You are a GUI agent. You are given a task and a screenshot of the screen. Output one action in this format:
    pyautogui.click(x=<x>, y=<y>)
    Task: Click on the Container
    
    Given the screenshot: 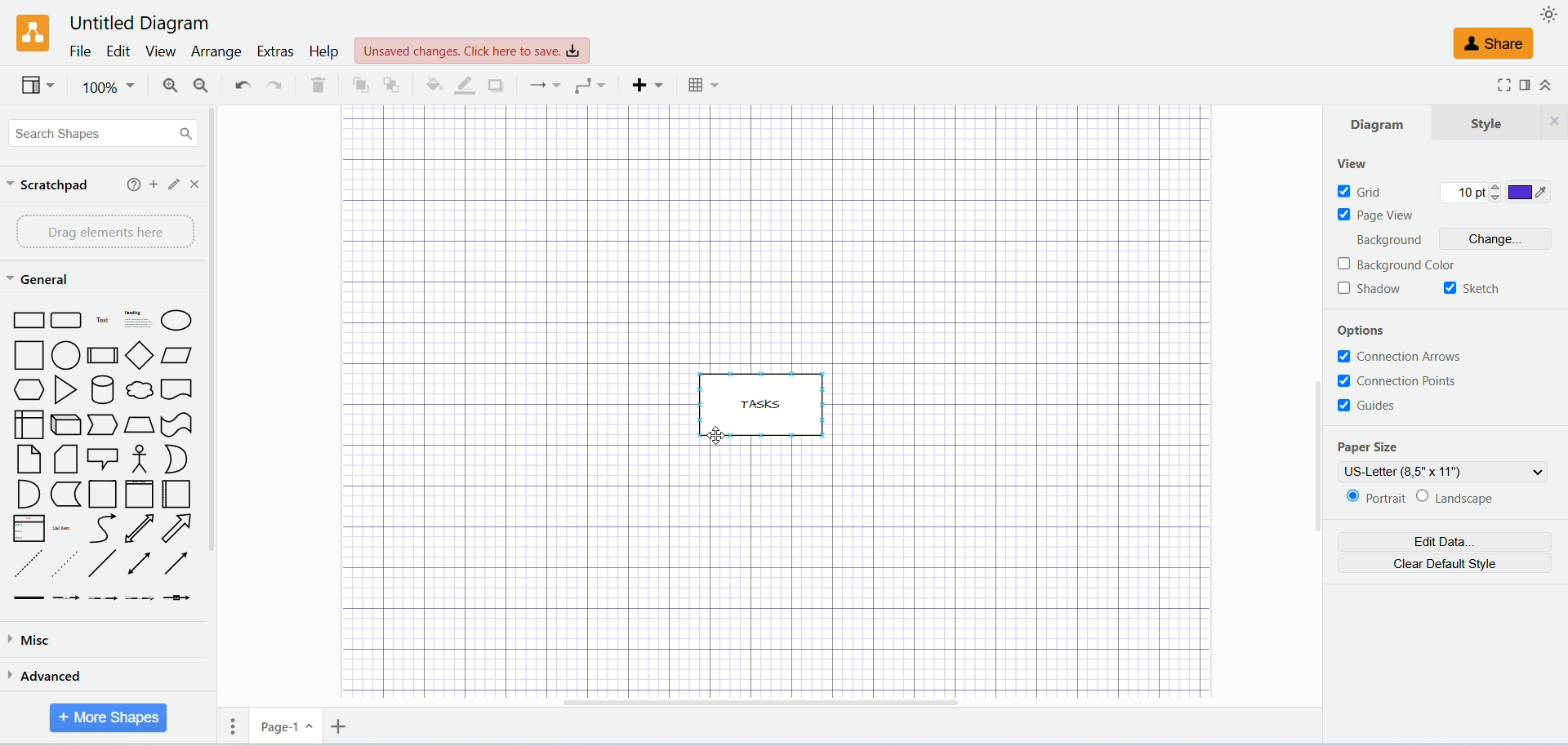 What is the action you would take?
    pyautogui.click(x=102, y=494)
    